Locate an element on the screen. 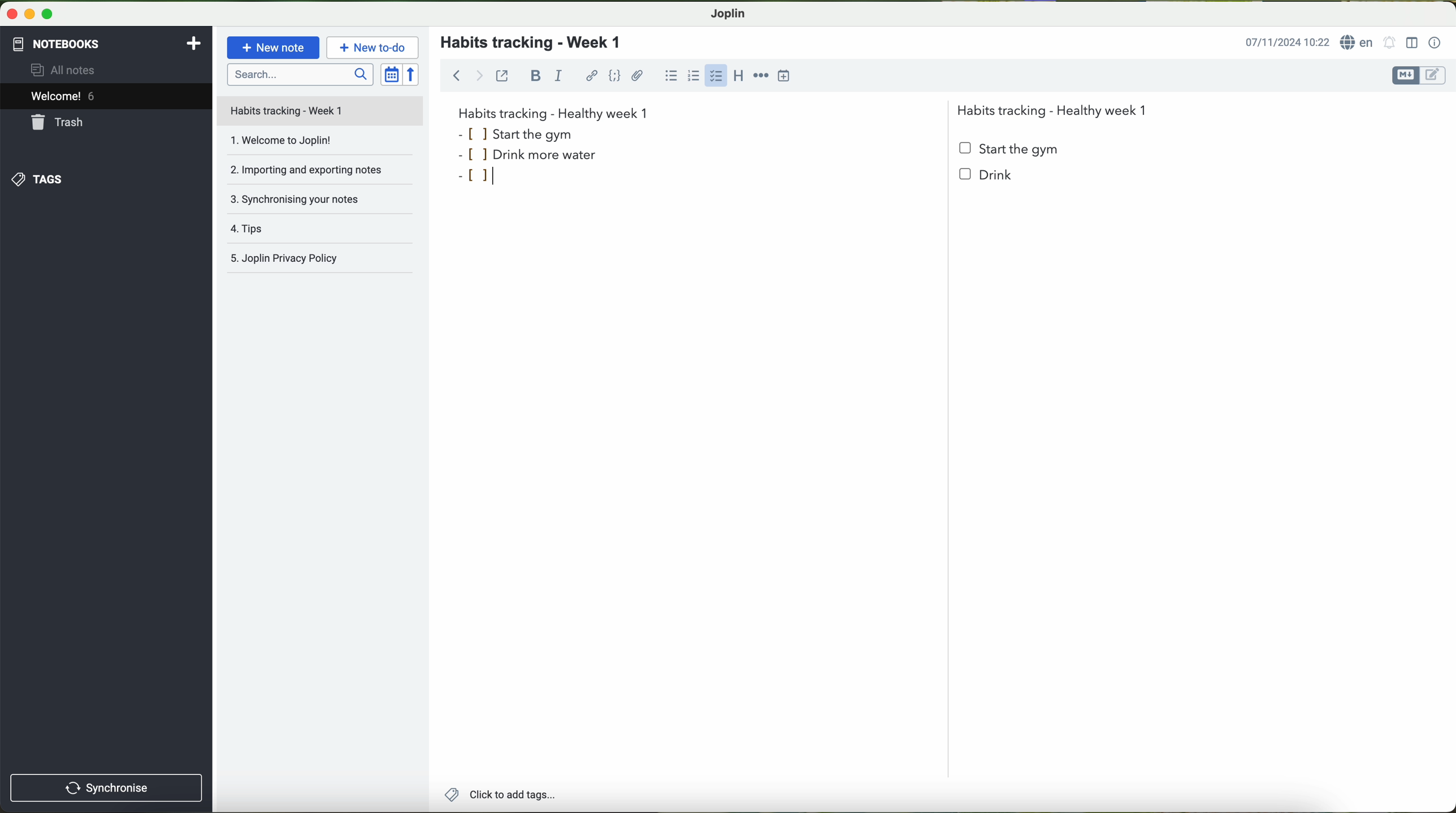  reverse sort order is located at coordinates (412, 74).